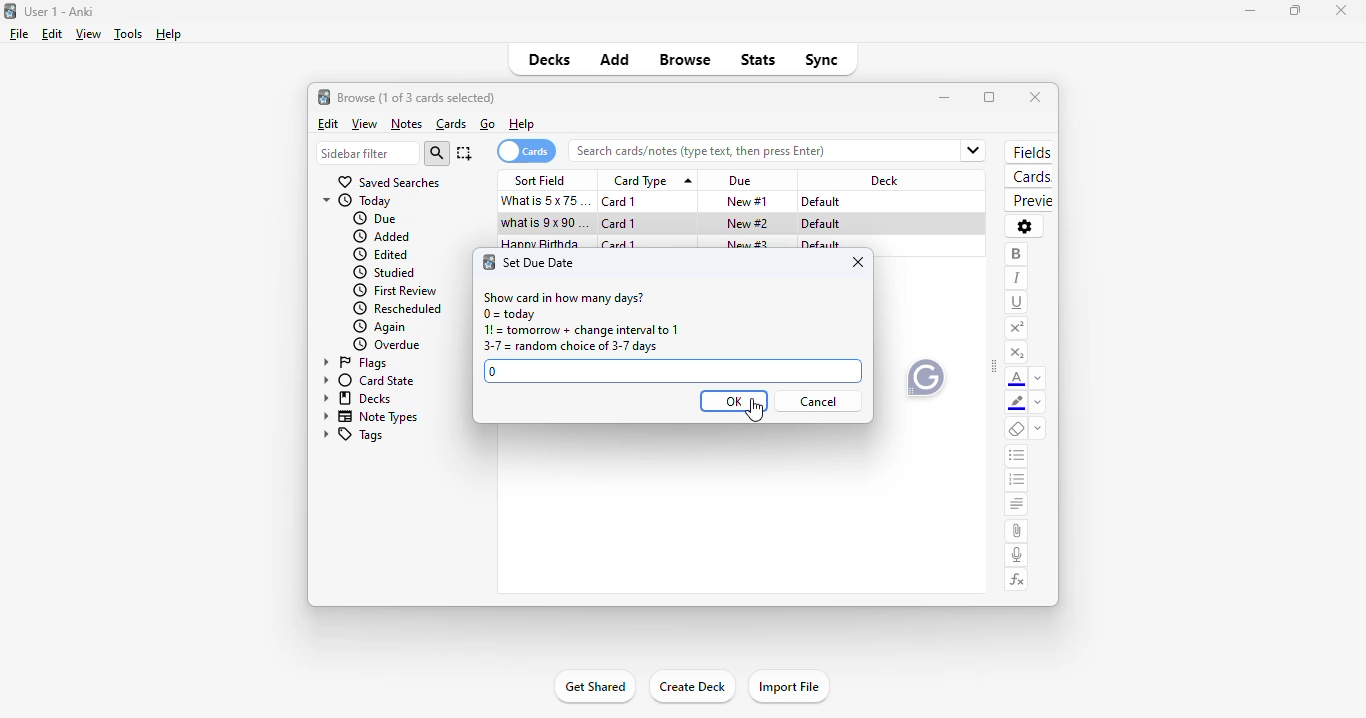 The image size is (1366, 718). Describe the element at coordinates (1015, 255) in the screenshot. I see `bold` at that location.